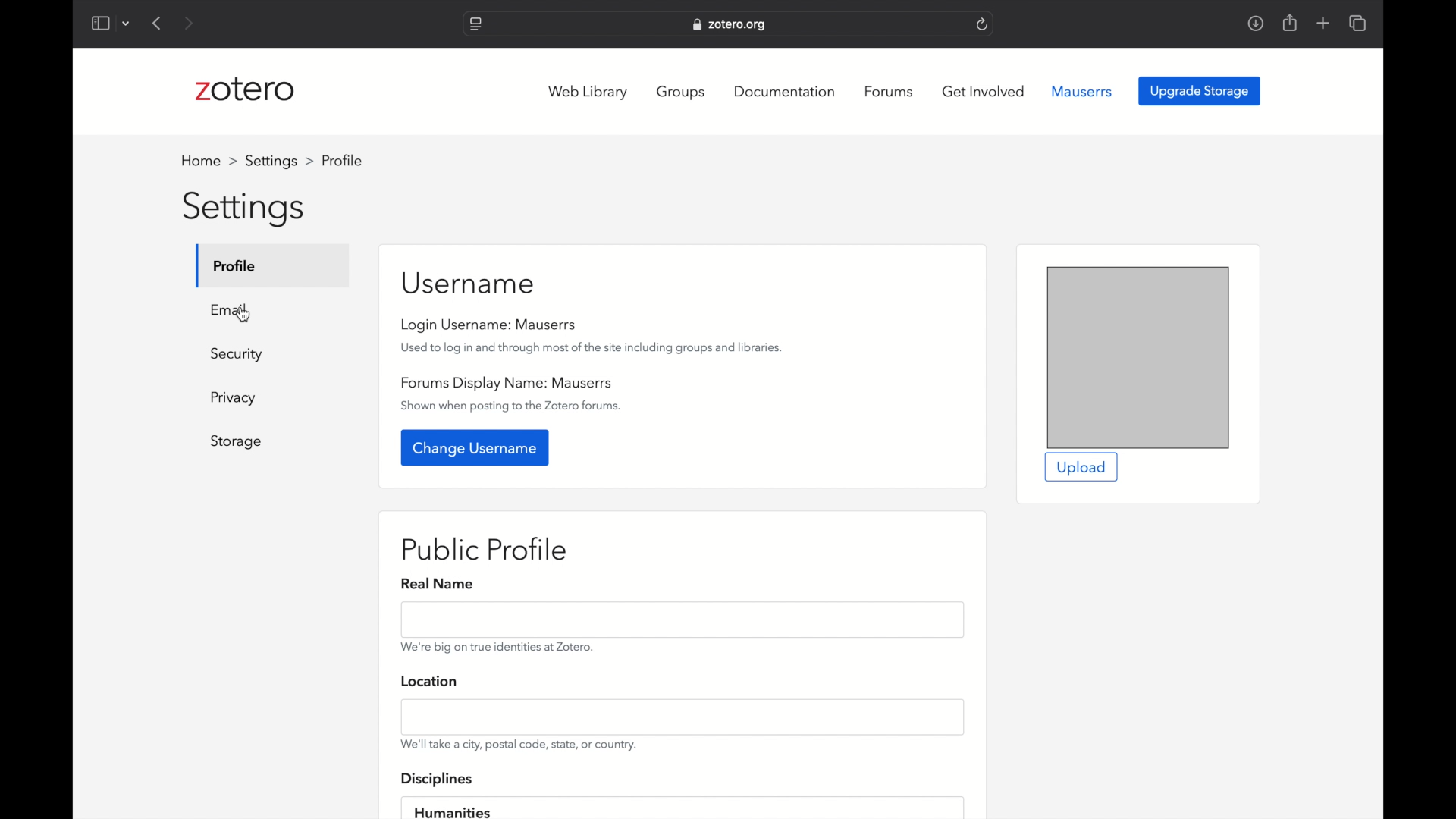  Describe the element at coordinates (126, 23) in the screenshot. I see `dropdown` at that location.